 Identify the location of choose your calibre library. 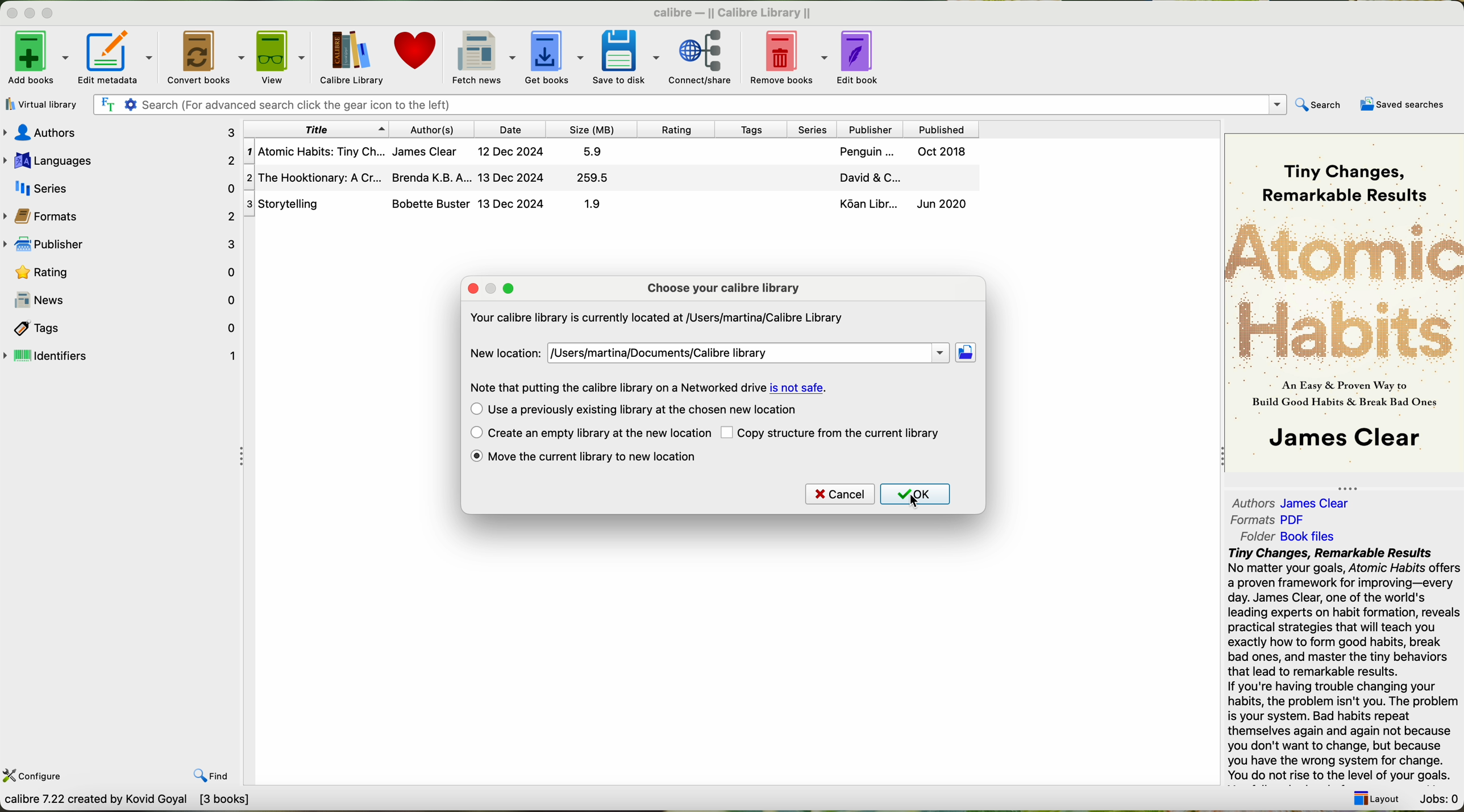
(723, 288).